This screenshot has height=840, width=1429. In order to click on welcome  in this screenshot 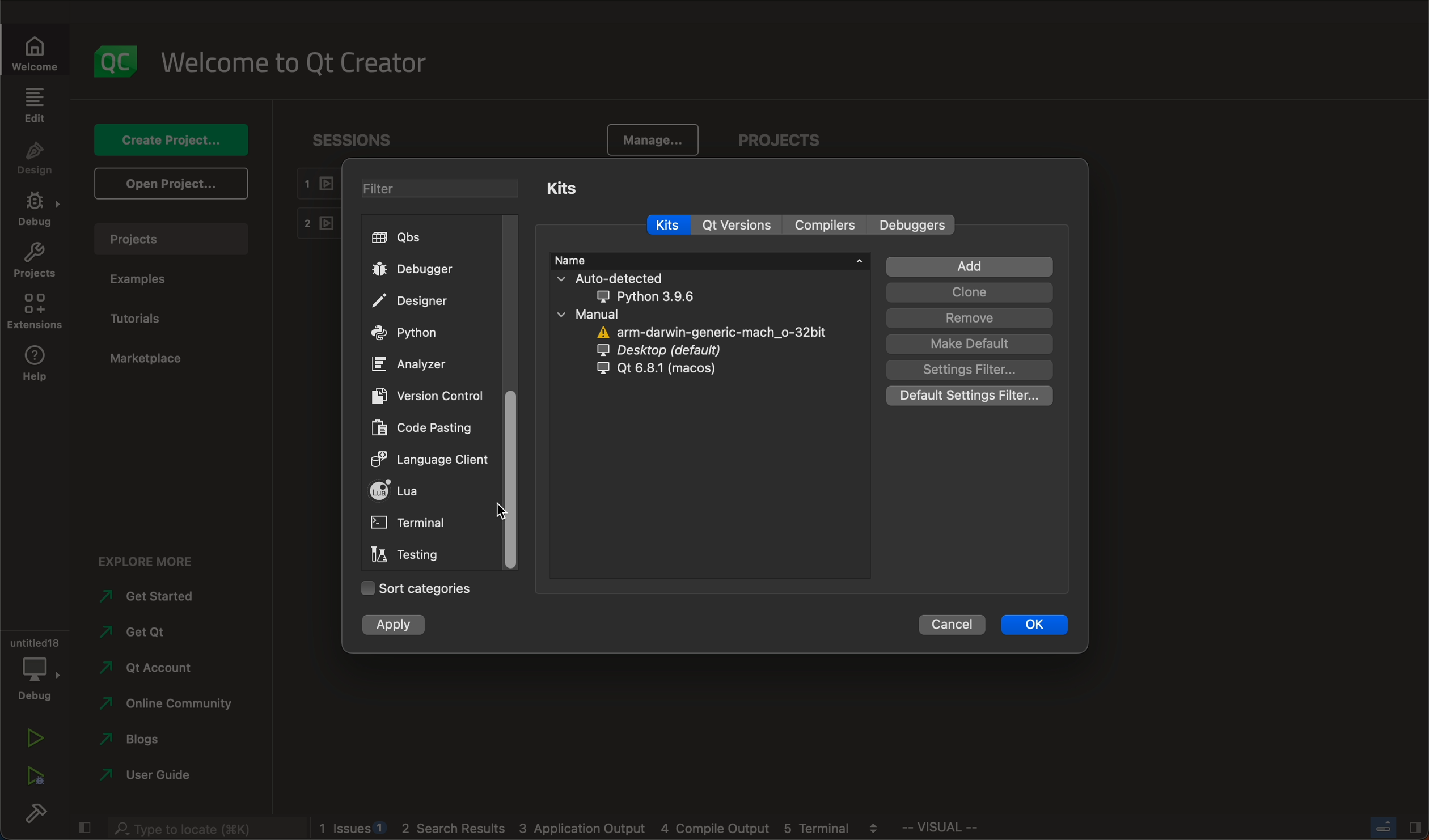, I will do `click(304, 63)`.